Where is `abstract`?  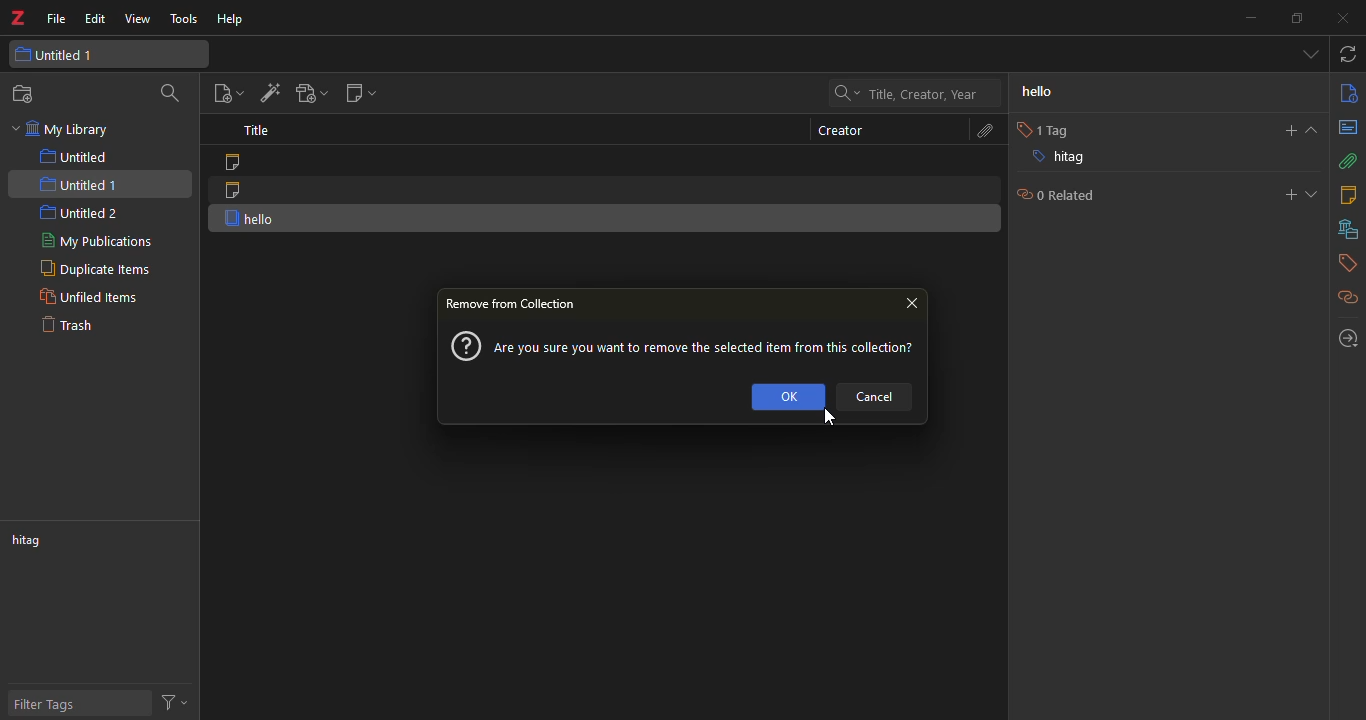 abstract is located at coordinates (1349, 128).